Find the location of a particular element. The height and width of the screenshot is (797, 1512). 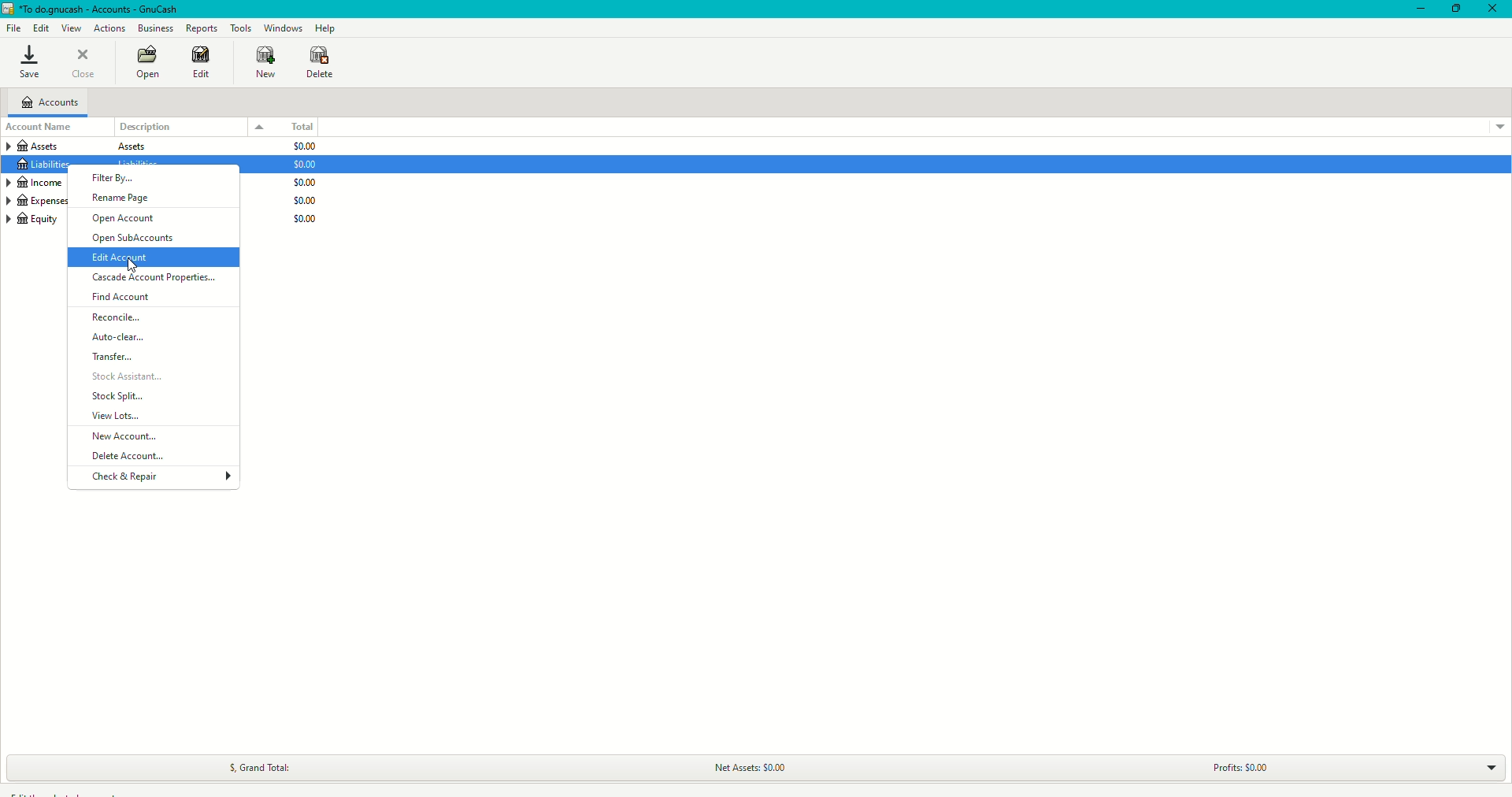

Auto-clear is located at coordinates (119, 339).